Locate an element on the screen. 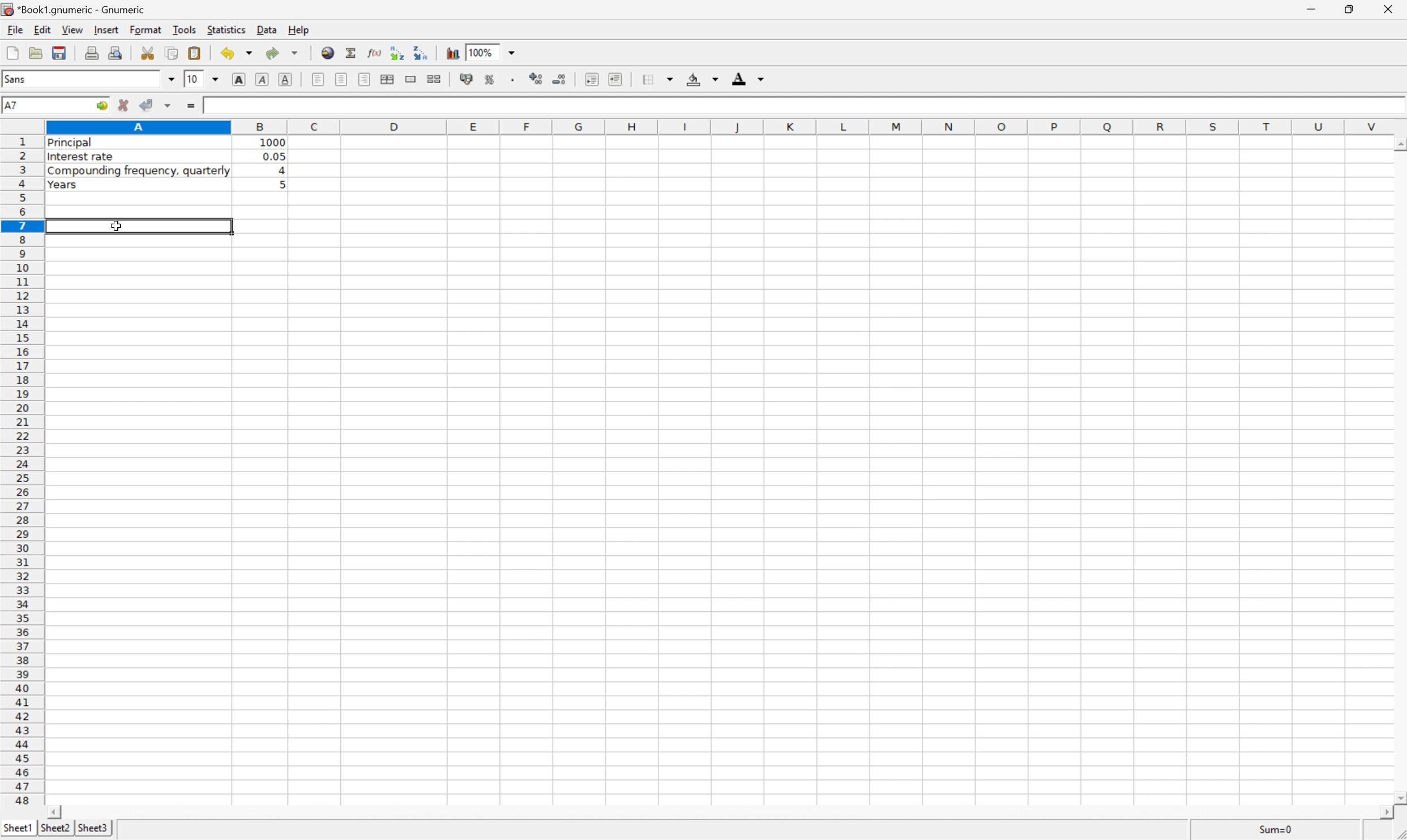  restore down is located at coordinates (1352, 9).